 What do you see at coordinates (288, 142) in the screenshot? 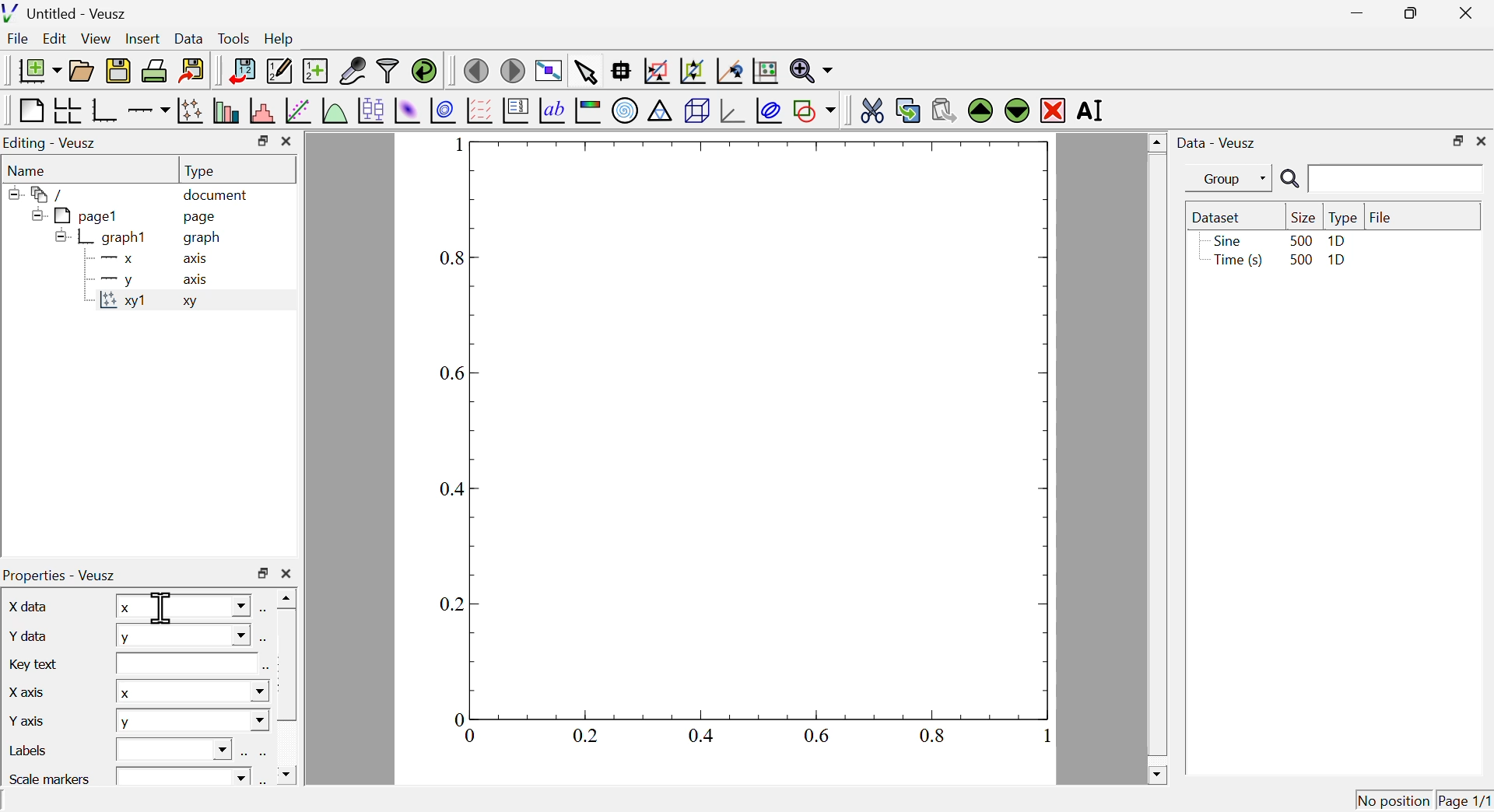
I see `close` at bounding box center [288, 142].